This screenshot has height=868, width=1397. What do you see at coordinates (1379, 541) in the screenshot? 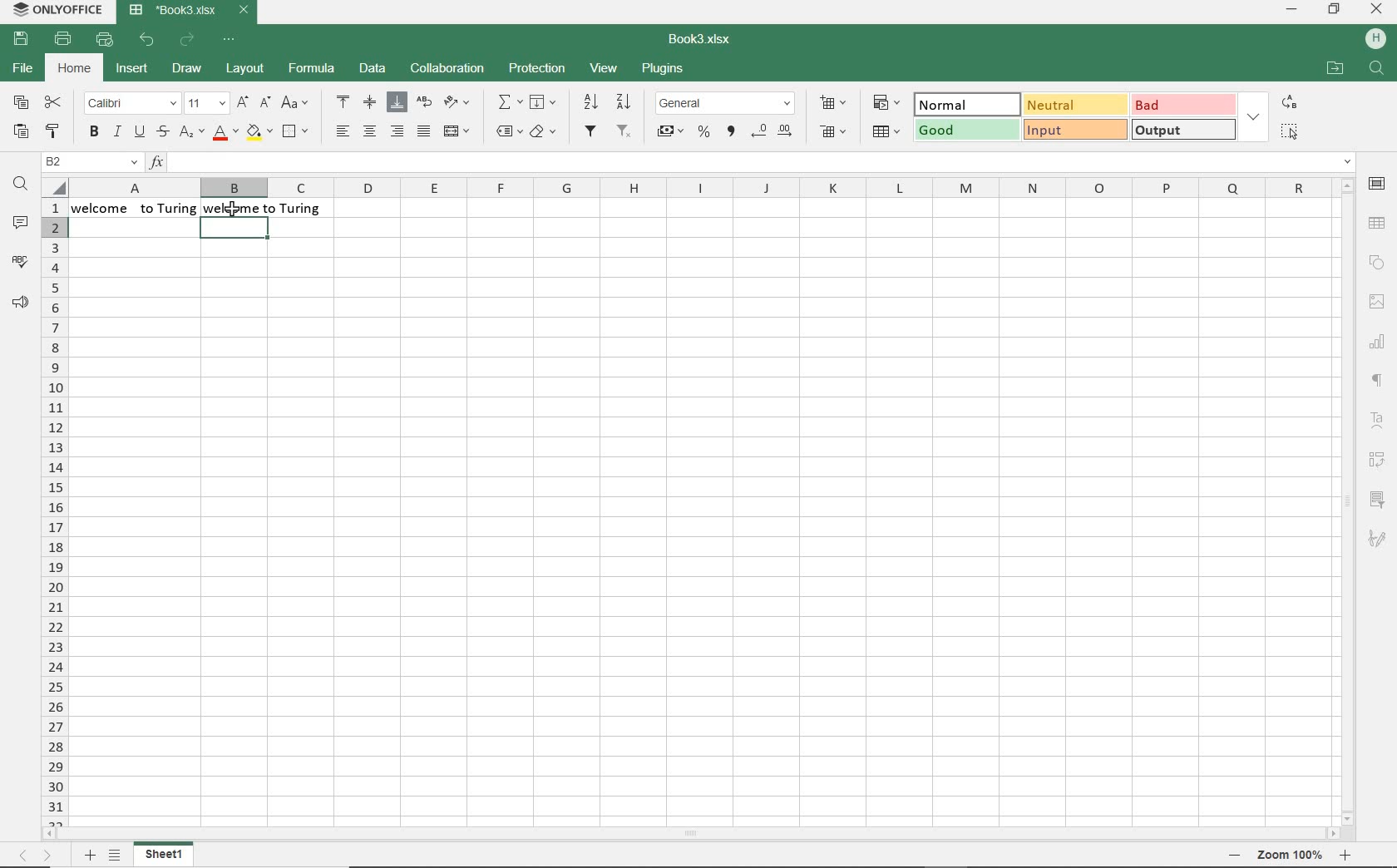
I see `signature` at bounding box center [1379, 541].